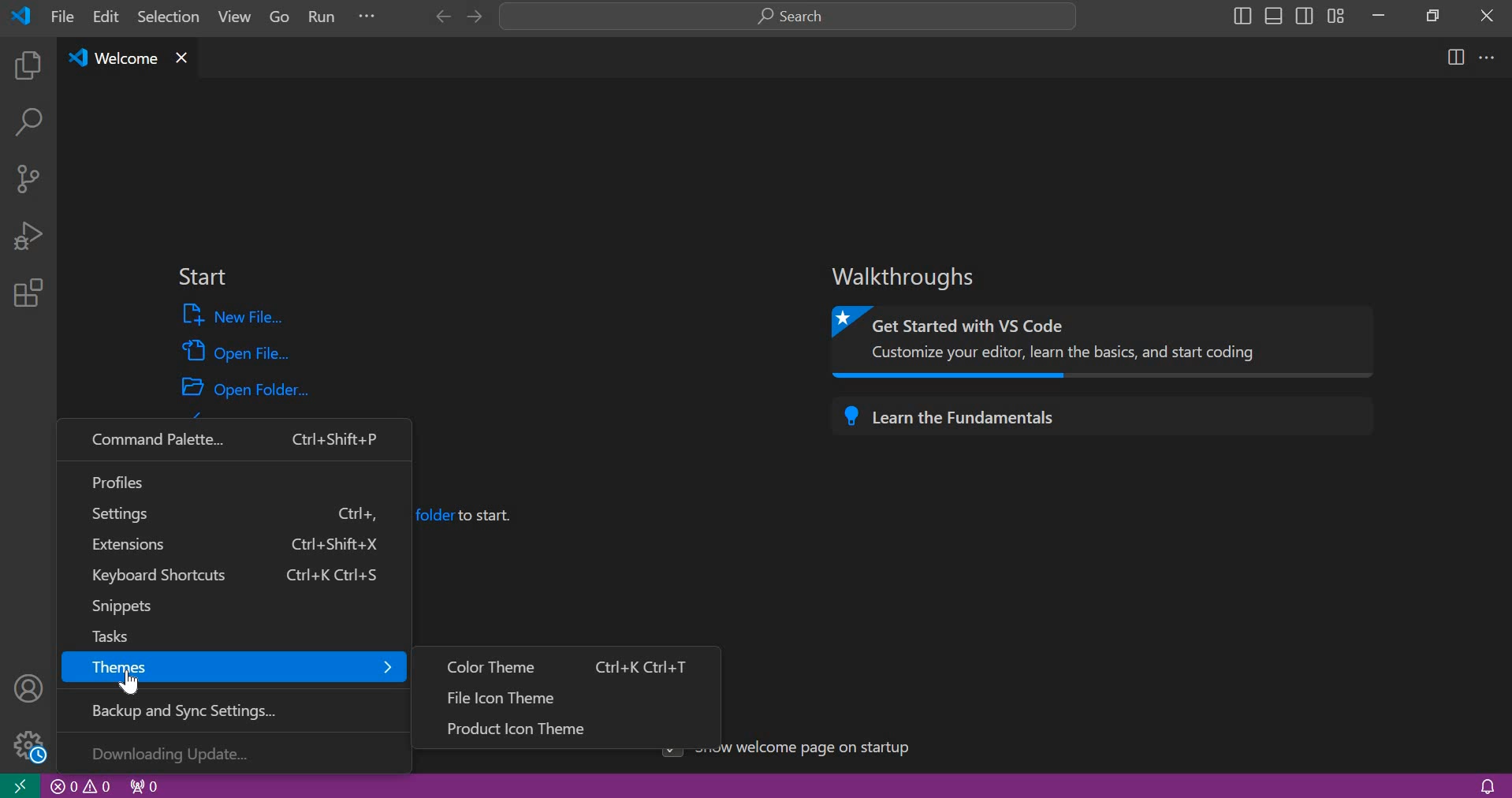  Describe the element at coordinates (107, 17) in the screenshot. I see `edit` at that location.